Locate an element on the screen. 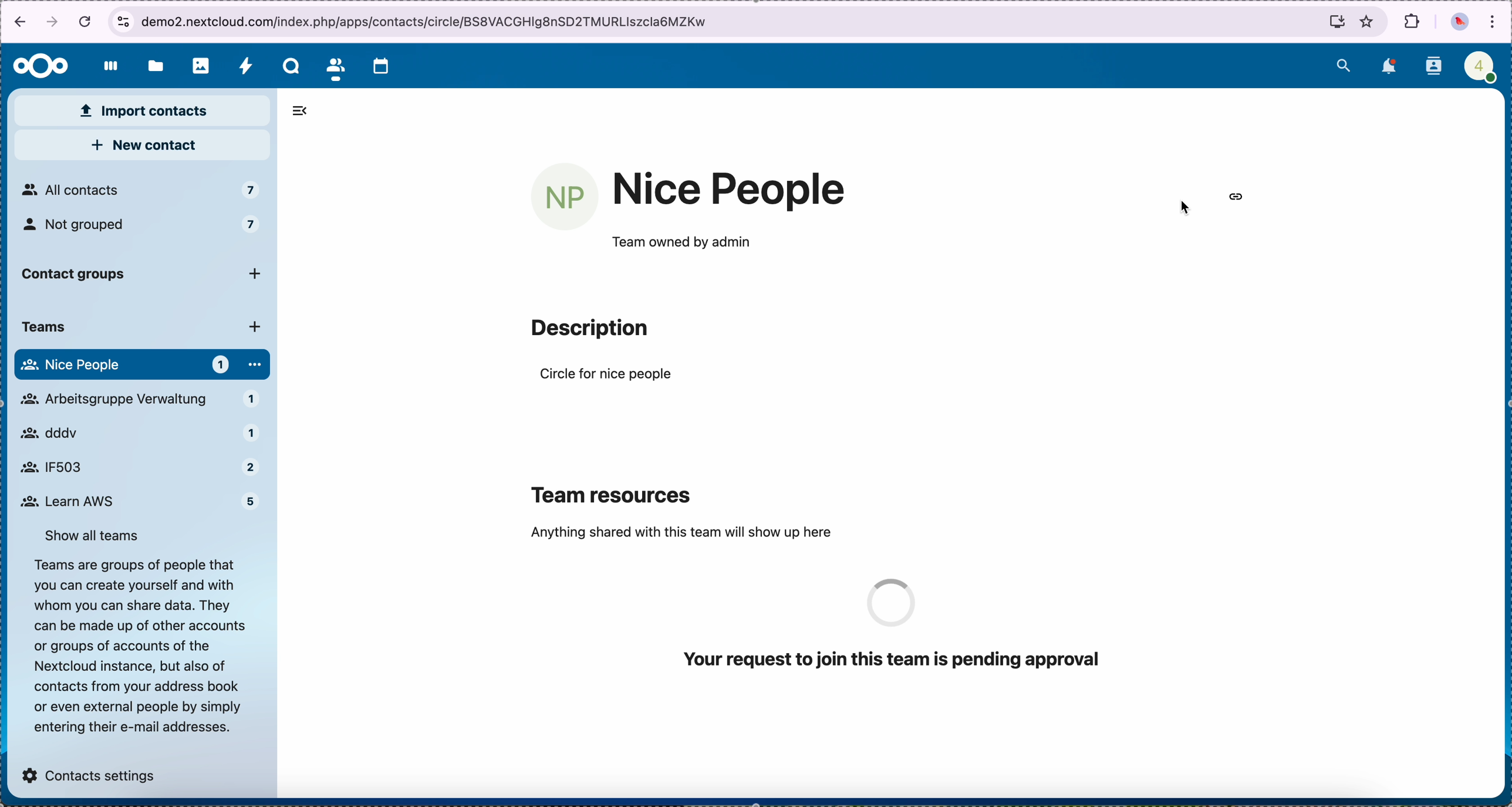  search is located at coordinates (1345, 64).